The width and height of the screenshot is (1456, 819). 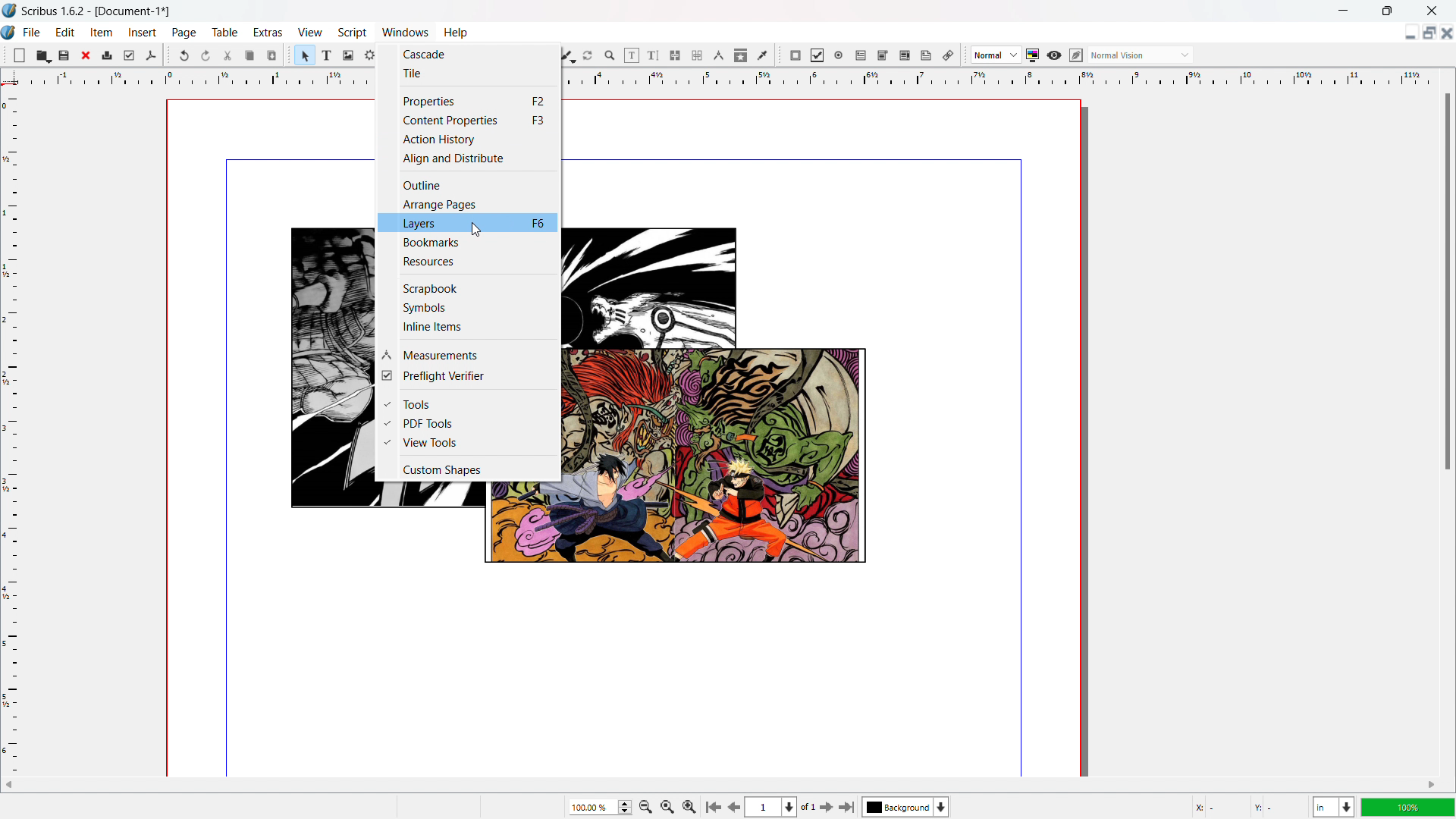 What do you see at coordinates (184, 55) in the screenshot?
I see `undo` at bounding box center [184, 55].